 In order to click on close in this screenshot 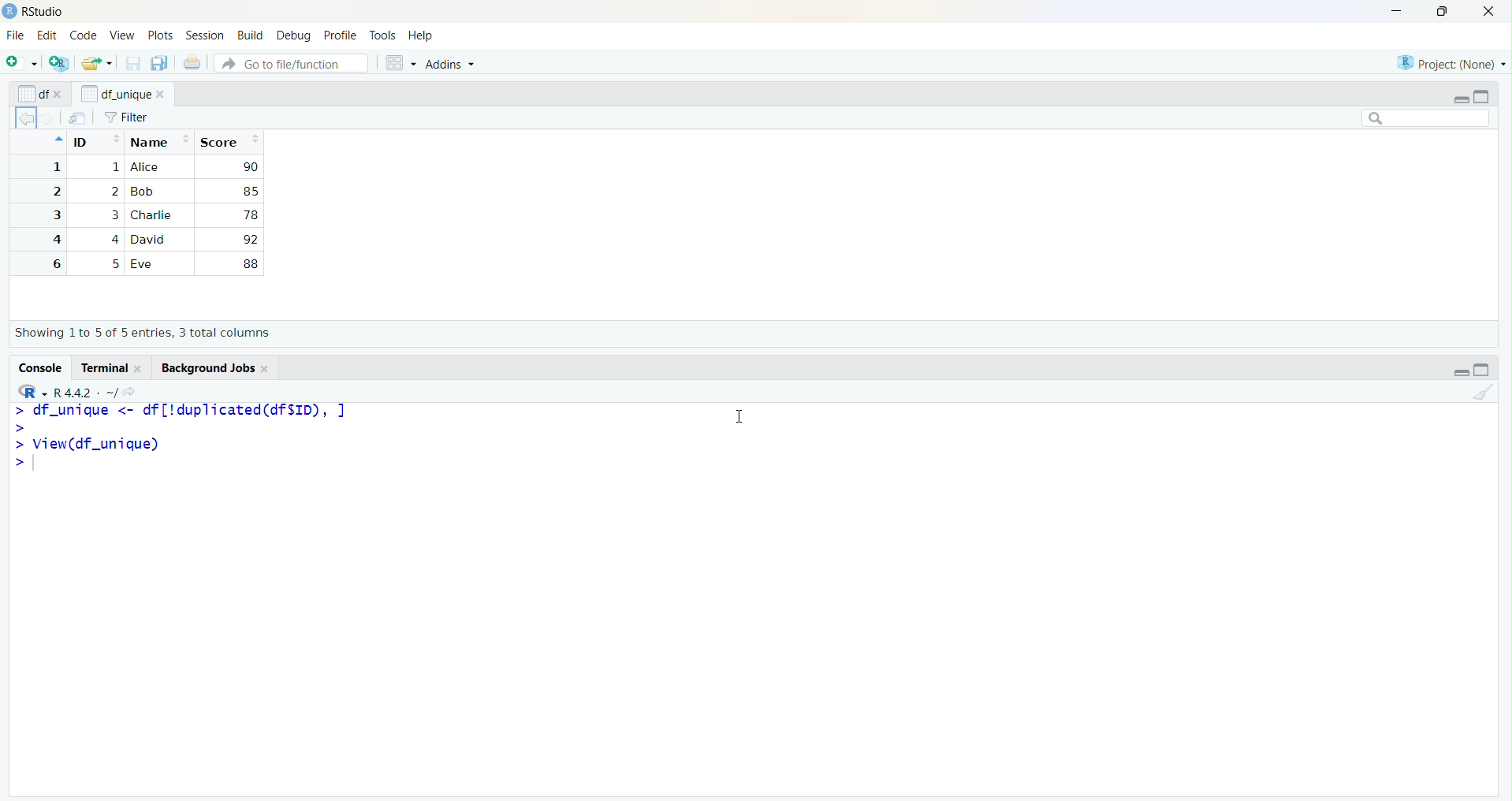, I will do `click(1488, 12)`.